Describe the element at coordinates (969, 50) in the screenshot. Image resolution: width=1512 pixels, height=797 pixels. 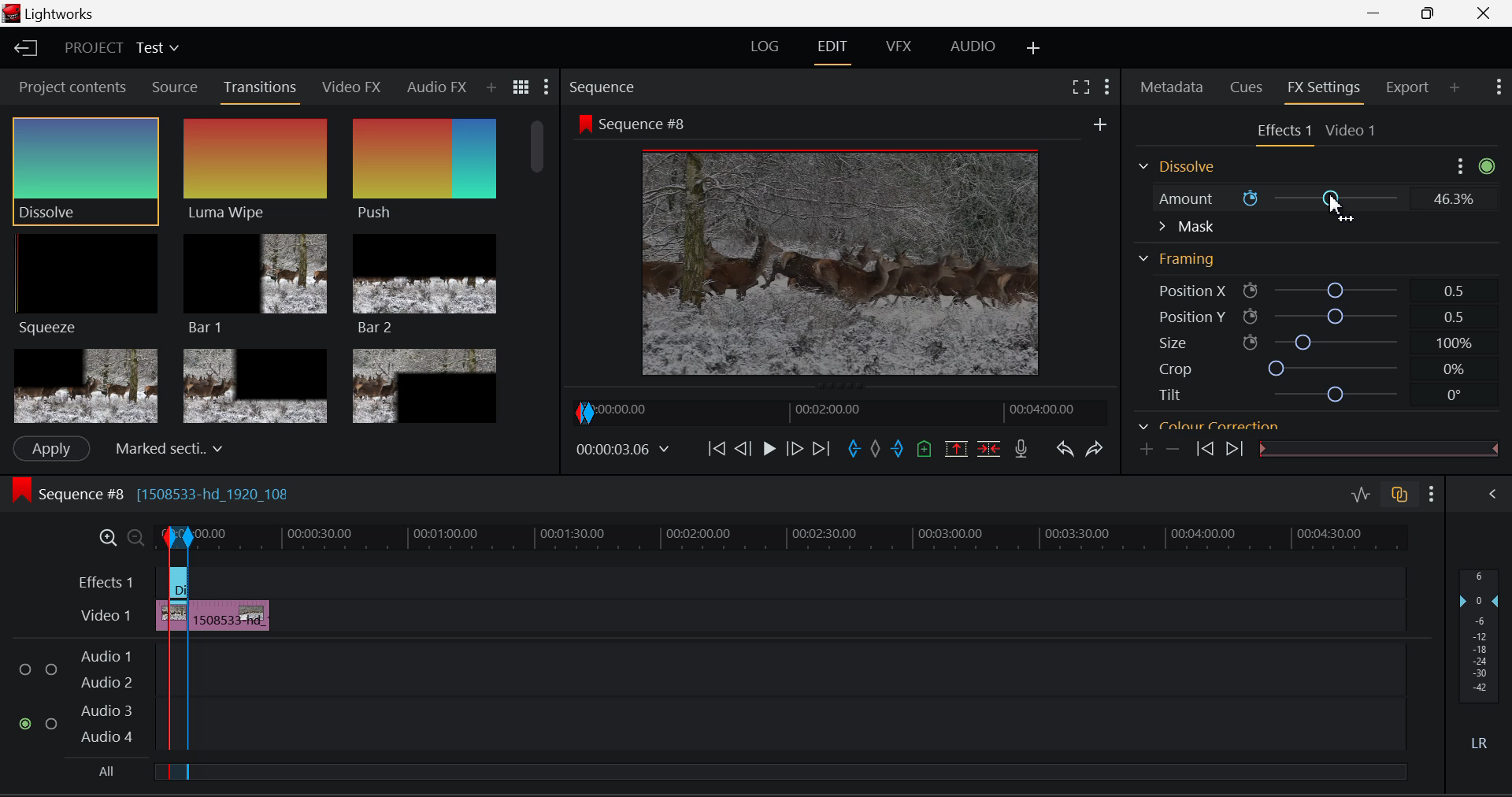
I see `Audio Layout` at that location.